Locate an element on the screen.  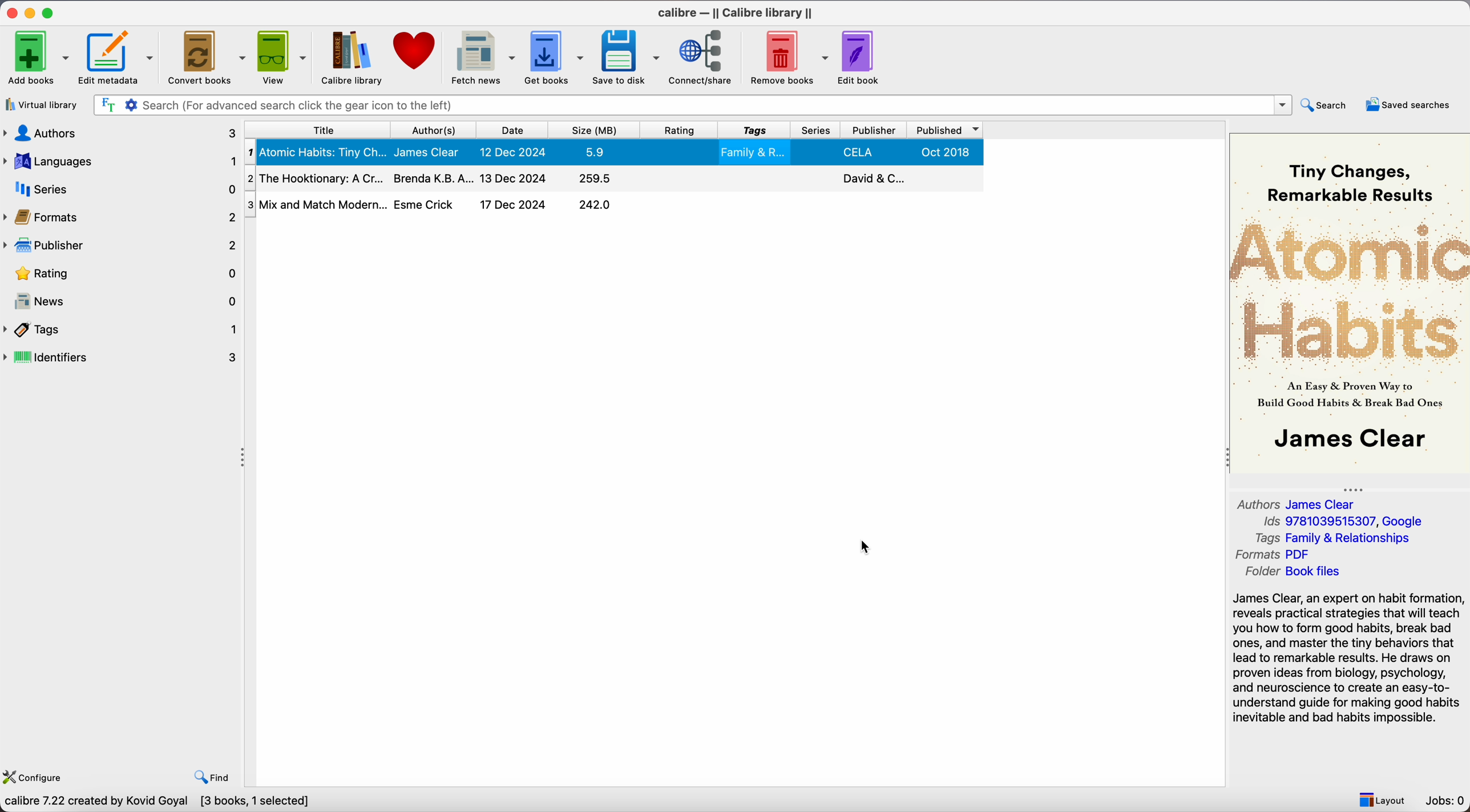
book cover preview is located at coordinates (1350, 302).